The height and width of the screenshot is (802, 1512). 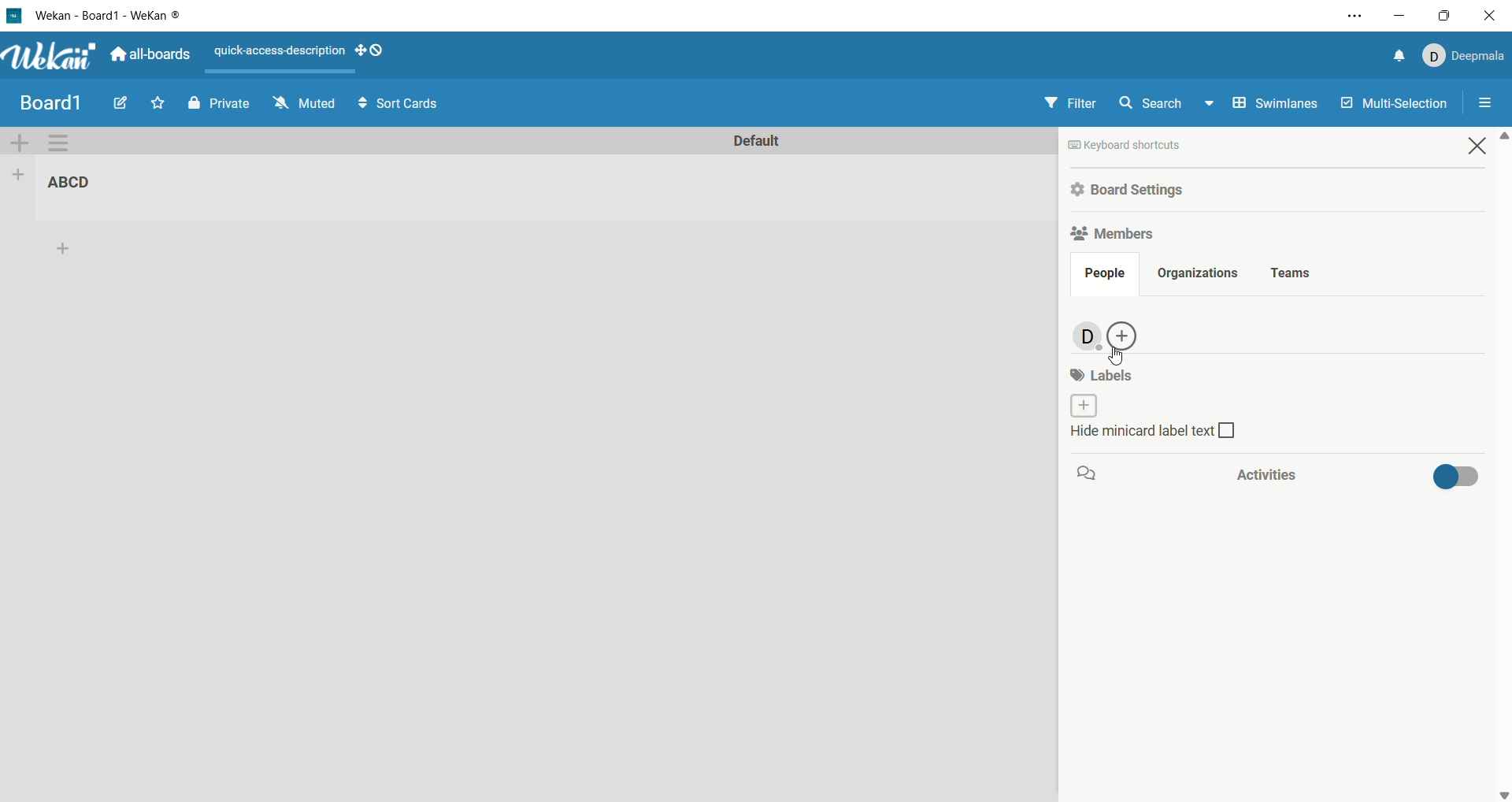 What do you see at coordinates (1478, 145) in the screenshot?
I see `close` at bounding box center [1478, 145].